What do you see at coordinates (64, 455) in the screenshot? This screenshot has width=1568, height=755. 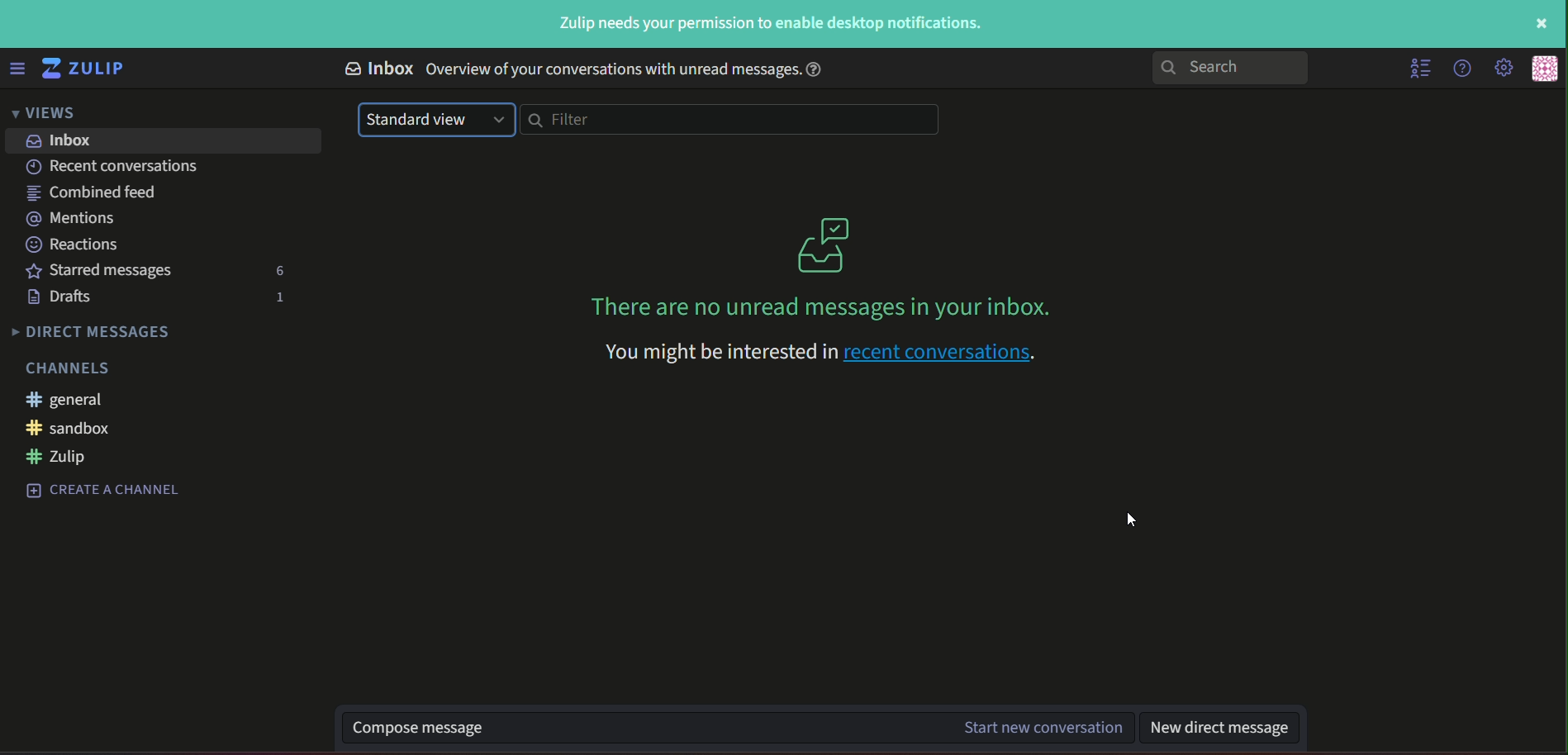 I see `#zulip` at bounding box center [64, 455].